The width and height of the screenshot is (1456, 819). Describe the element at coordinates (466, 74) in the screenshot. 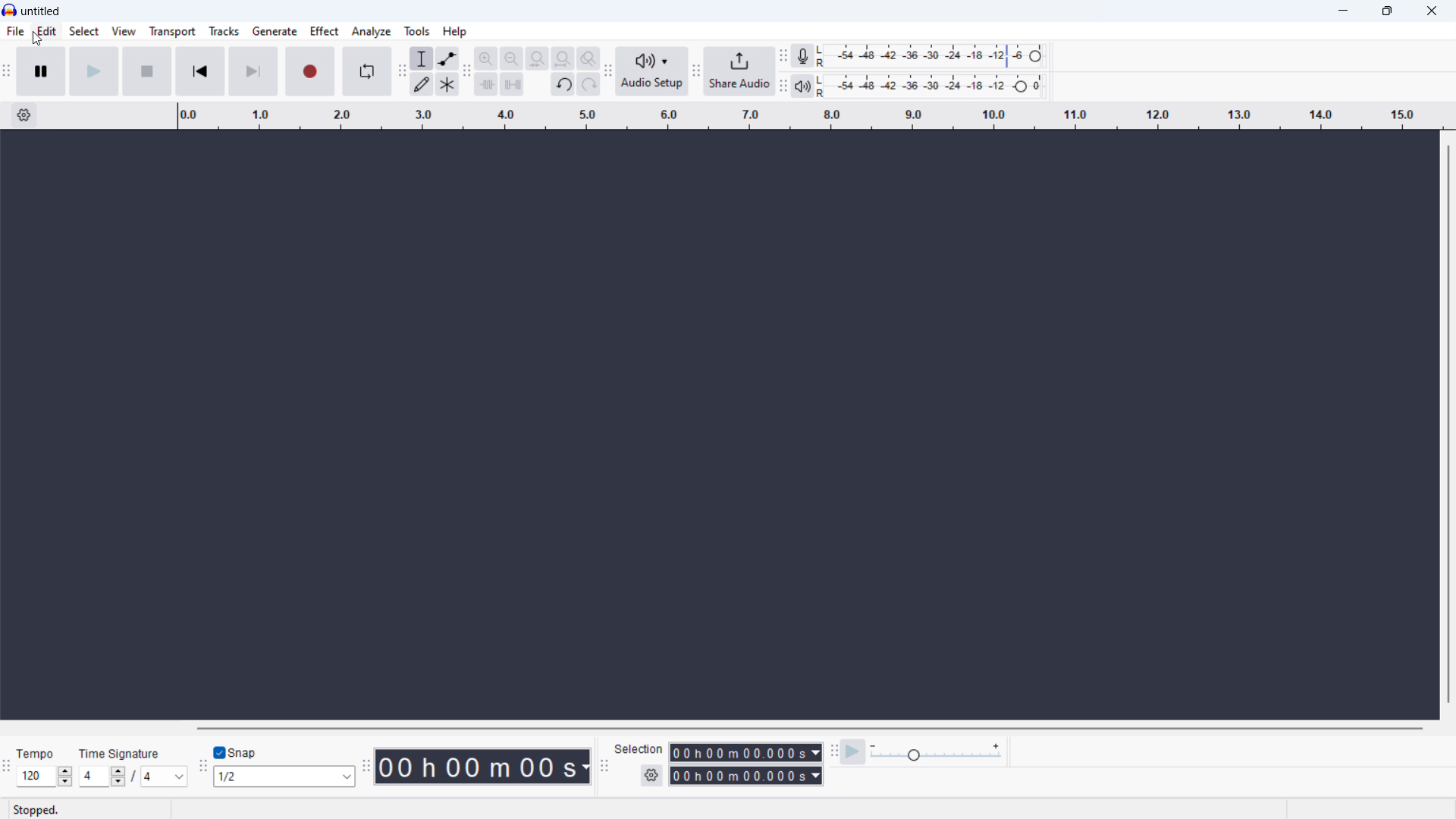

I see `edit toolbar` at that location.